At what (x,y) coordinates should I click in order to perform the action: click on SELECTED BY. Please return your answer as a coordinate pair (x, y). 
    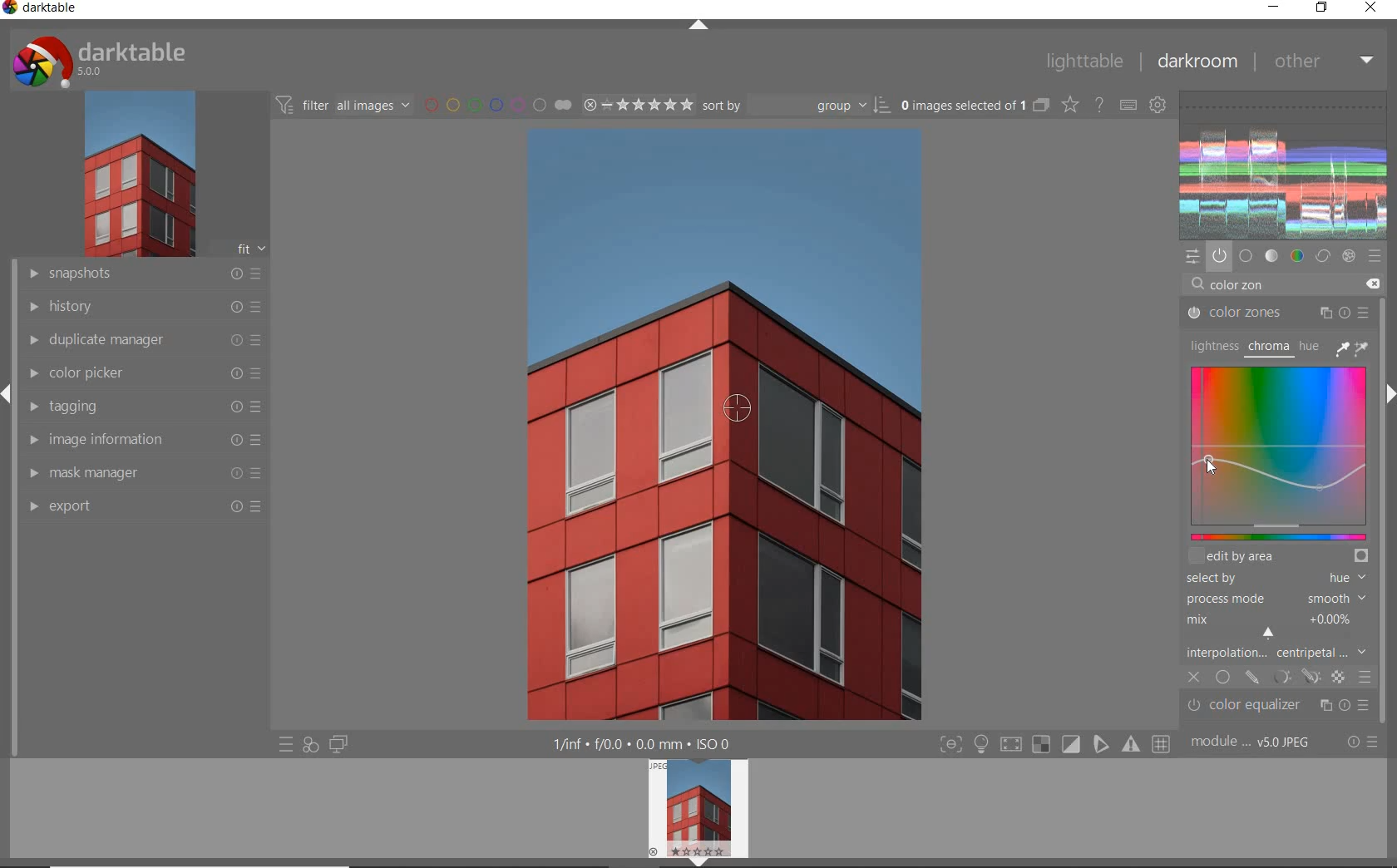
    Looking at the image, I should click on (1271, 579).